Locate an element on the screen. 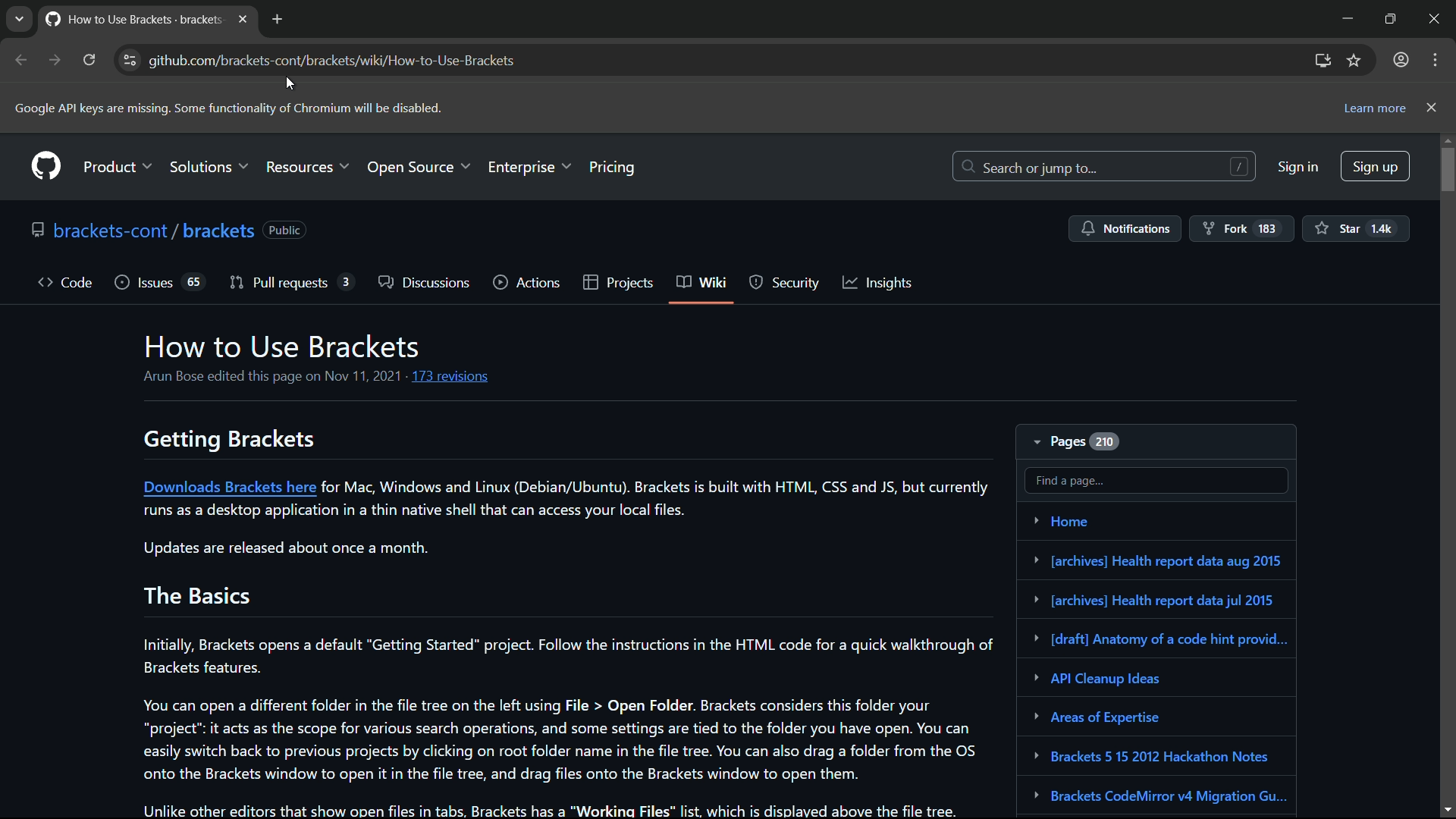  pull request 3 is located at coordinates (290, 283).